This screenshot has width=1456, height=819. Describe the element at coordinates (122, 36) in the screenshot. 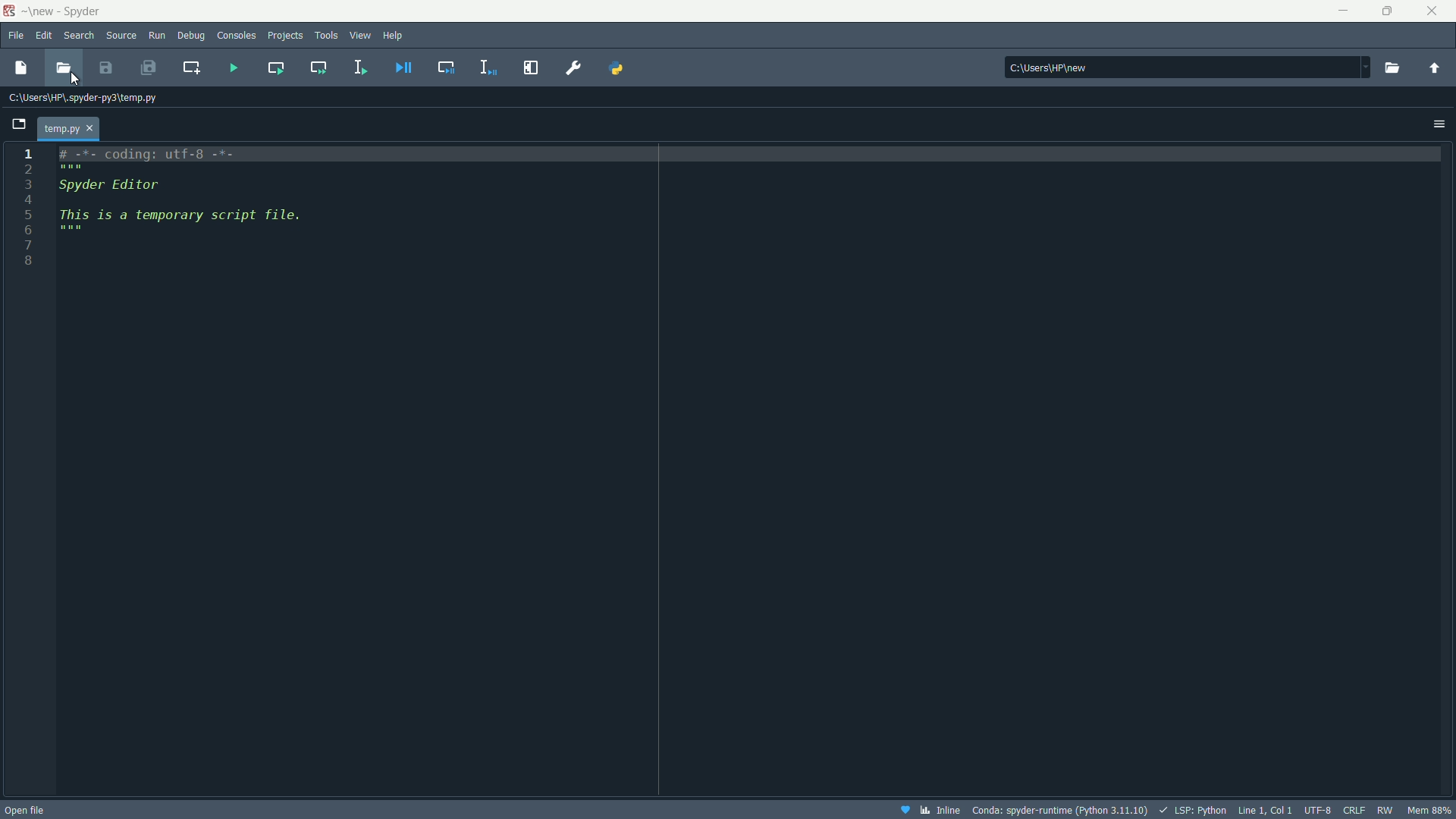

I see `Source menu` at that location.